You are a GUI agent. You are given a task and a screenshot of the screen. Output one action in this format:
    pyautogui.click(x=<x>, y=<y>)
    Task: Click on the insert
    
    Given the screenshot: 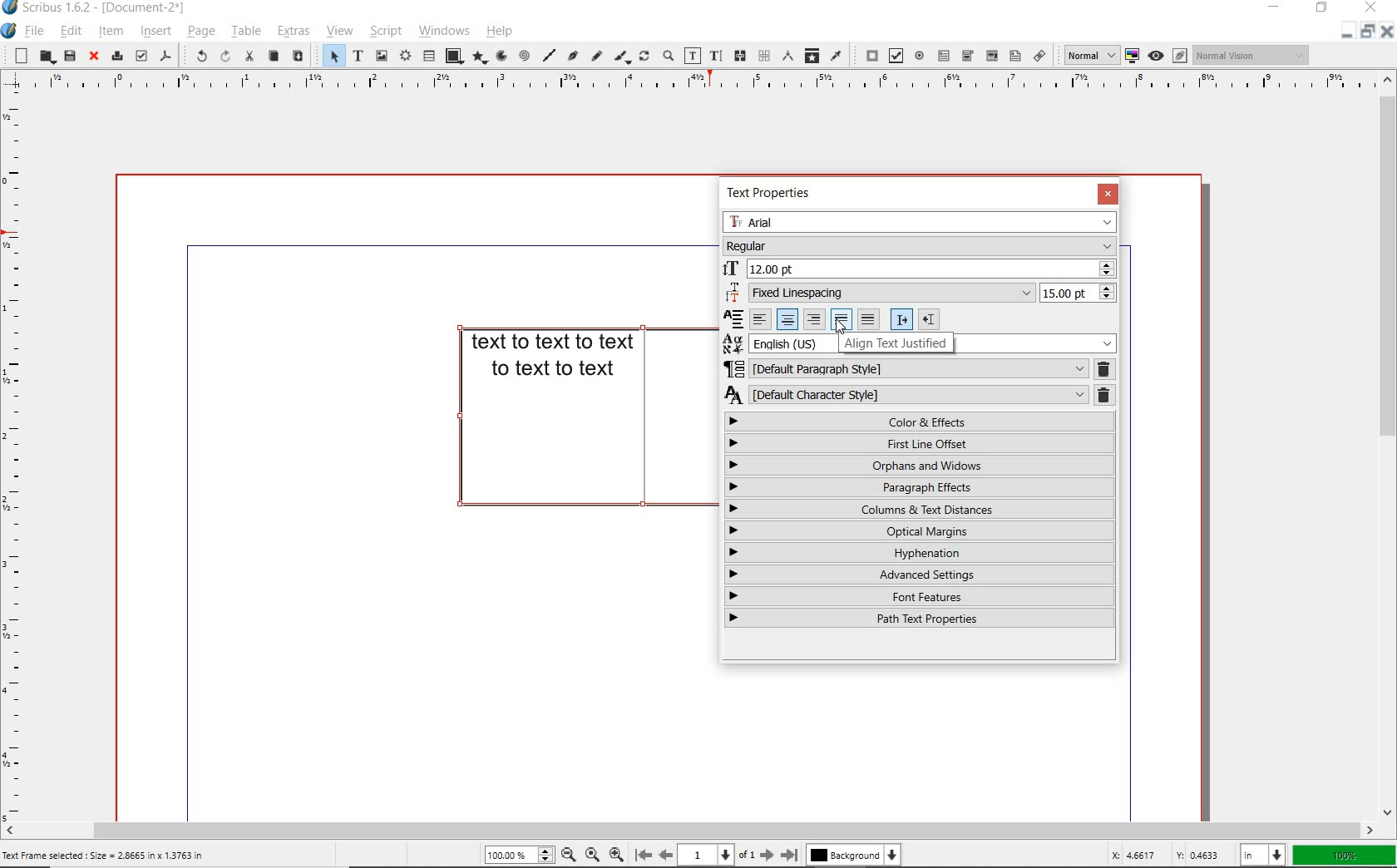 What is the action you would take?
    pyautogui.click(x=155, y=31)
    